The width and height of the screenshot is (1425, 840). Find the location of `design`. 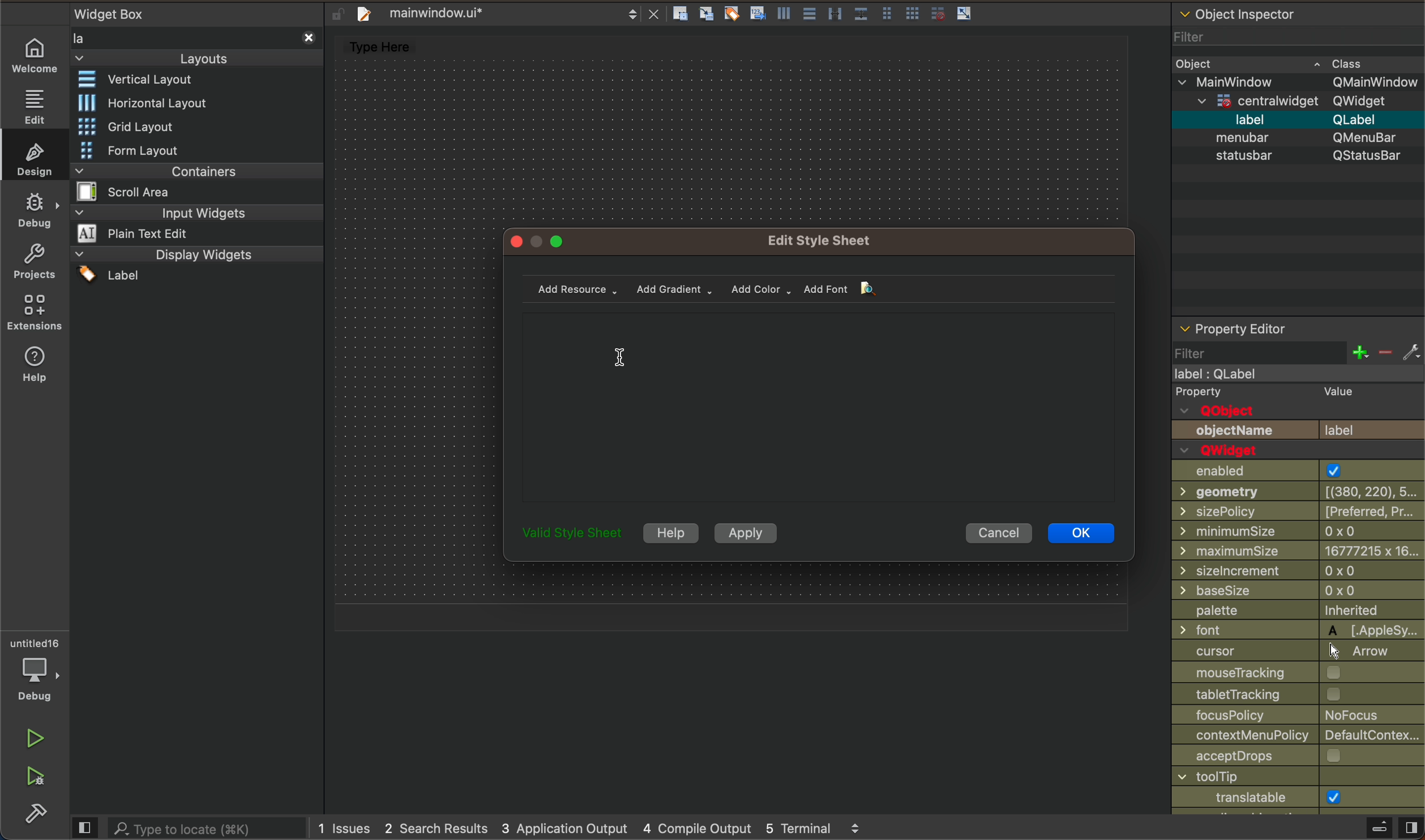

design is located at coordinates (35, 158).